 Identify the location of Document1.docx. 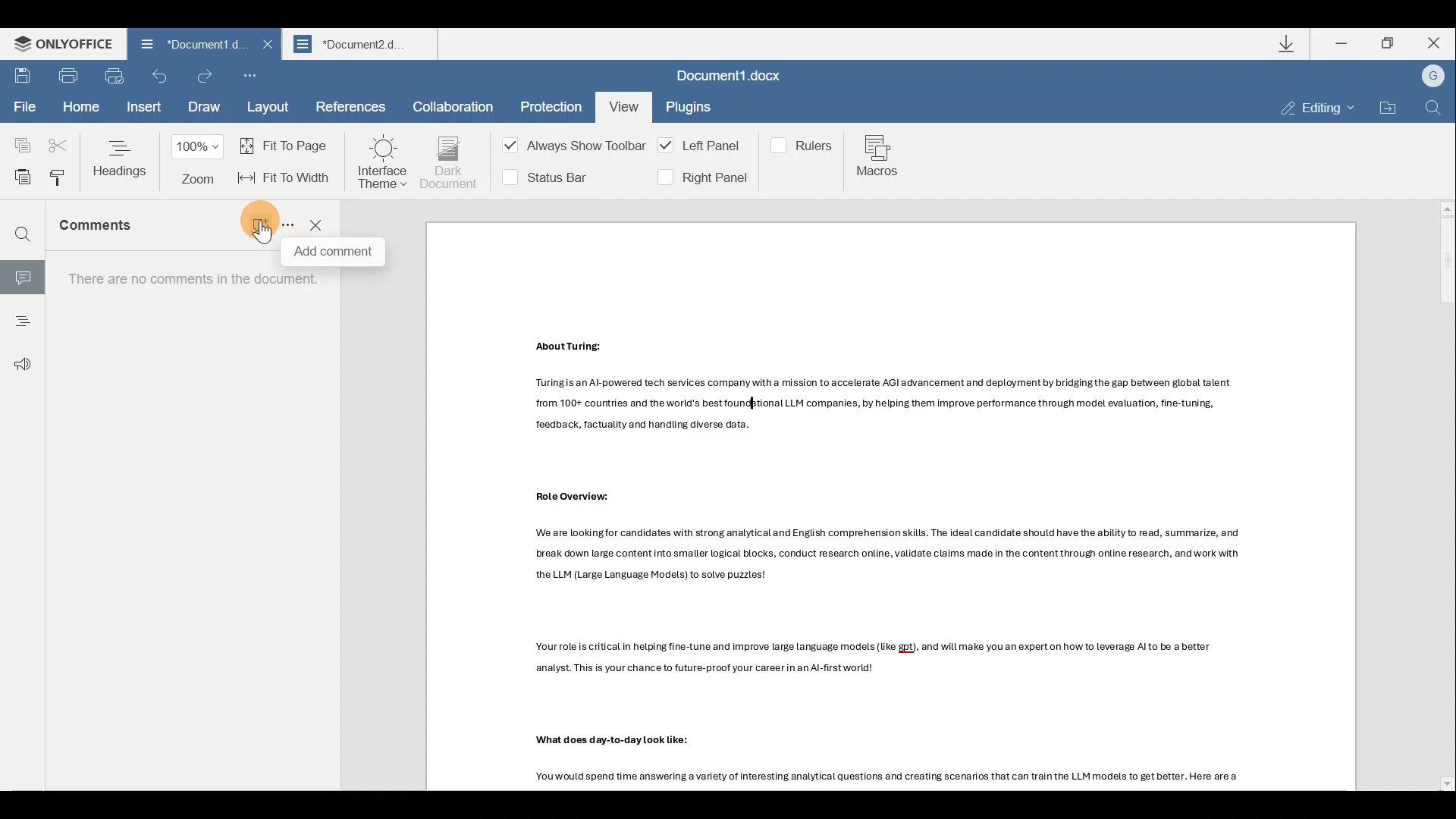
(733, 78).